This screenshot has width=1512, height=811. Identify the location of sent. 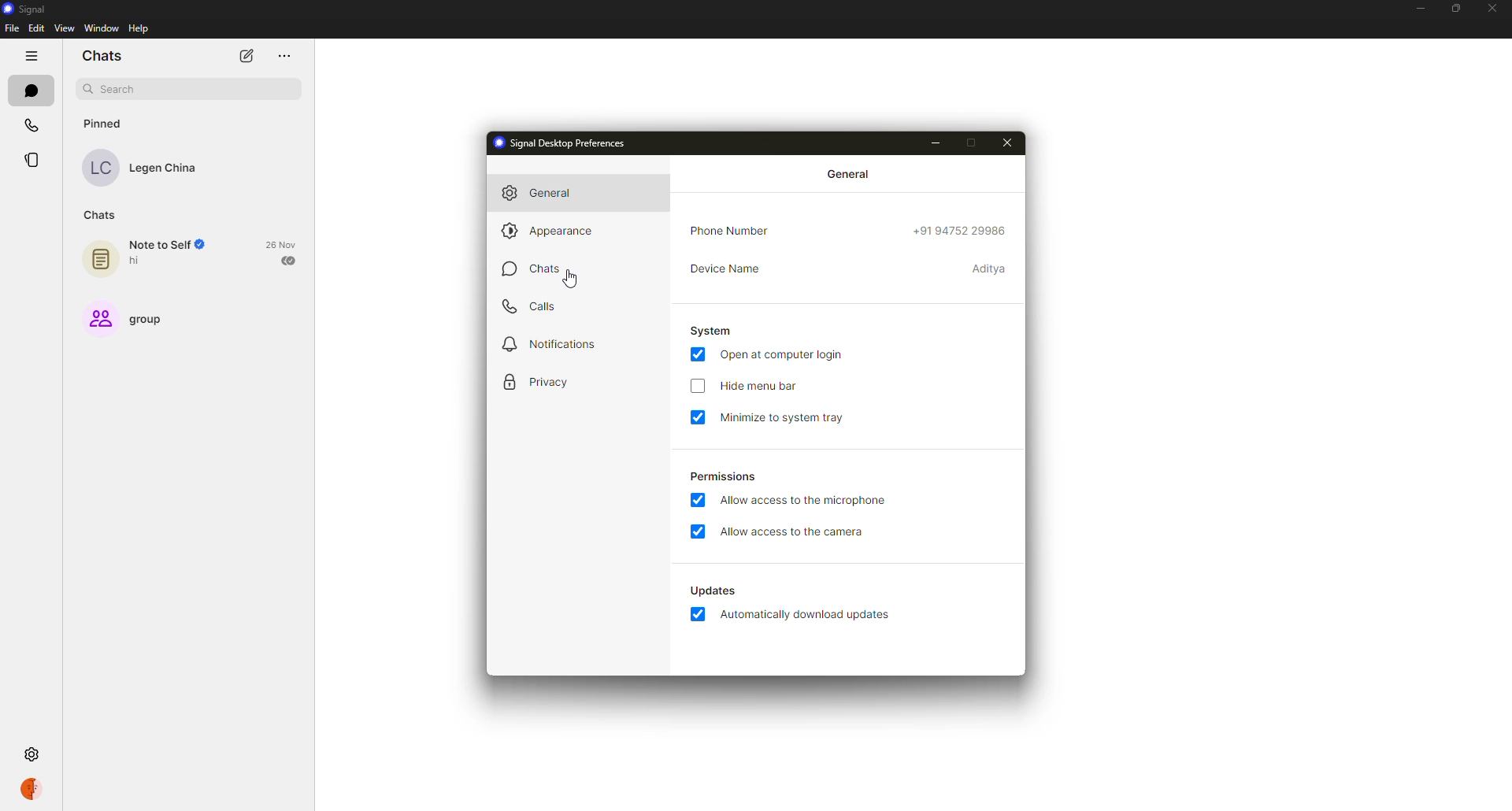
(291, 260).